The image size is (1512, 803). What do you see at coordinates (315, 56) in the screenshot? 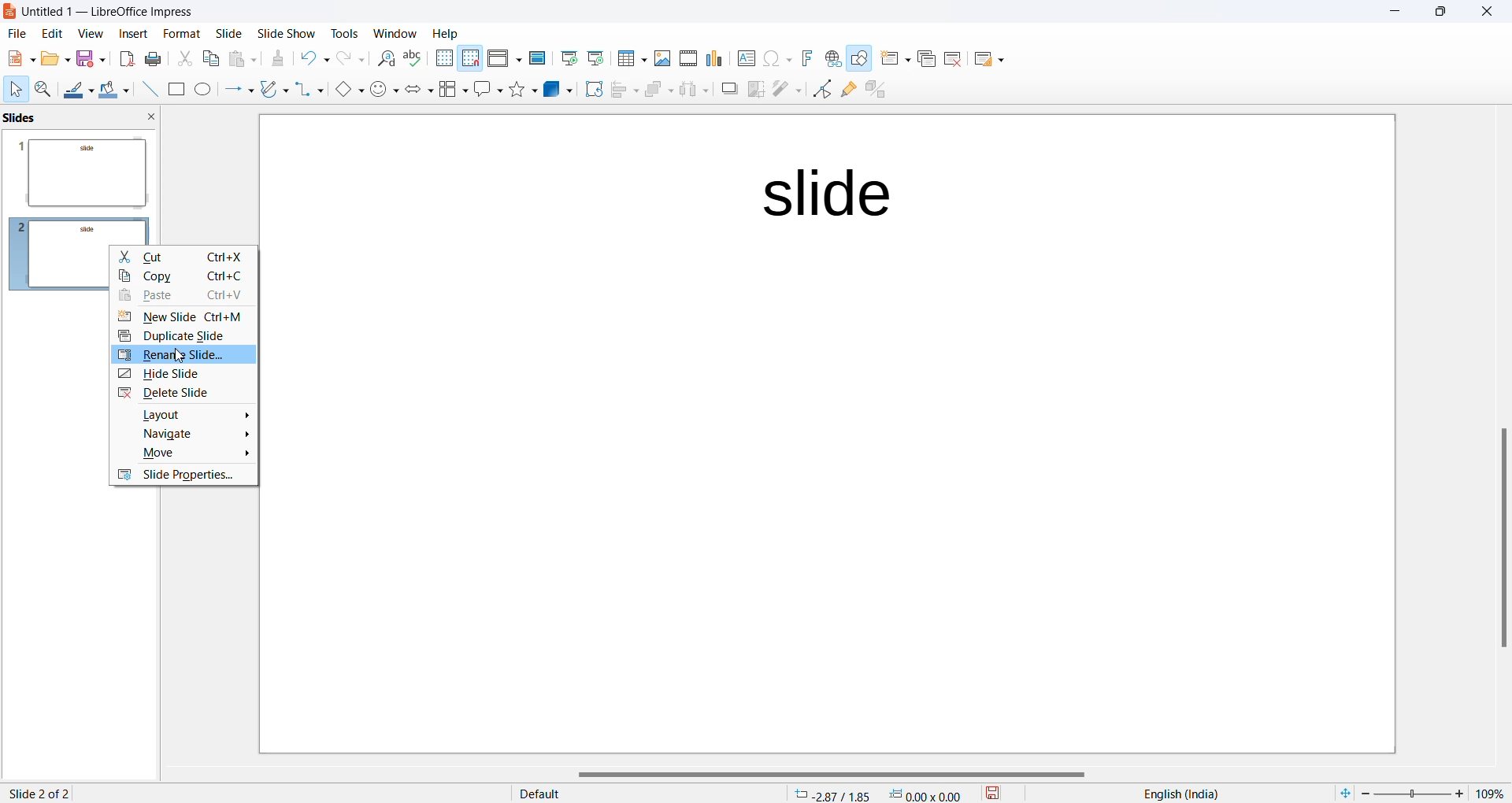
I see `Undo` at bounding box center [315, 56].